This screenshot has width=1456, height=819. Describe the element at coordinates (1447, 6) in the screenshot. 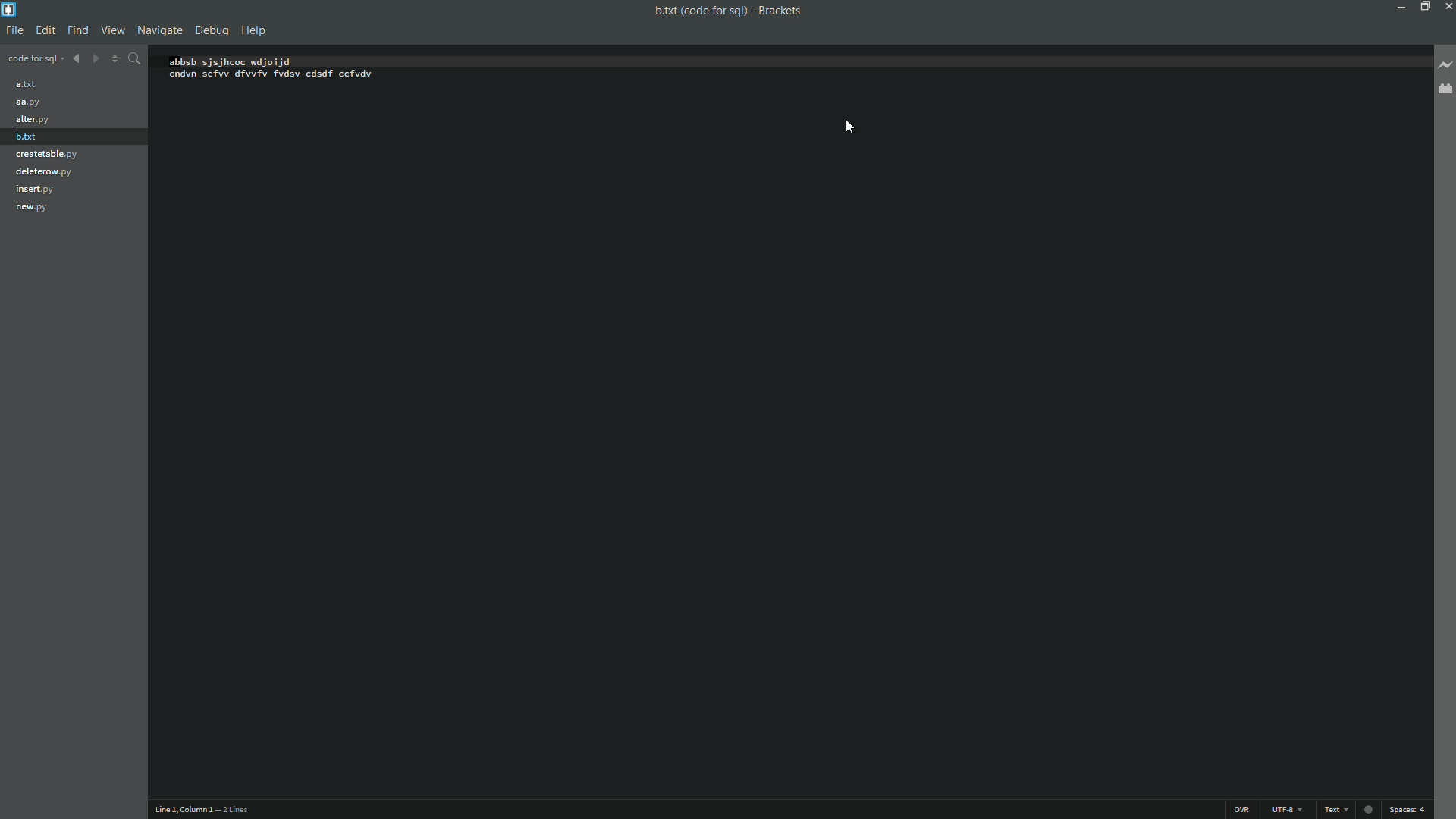

I see `close app` at that location.